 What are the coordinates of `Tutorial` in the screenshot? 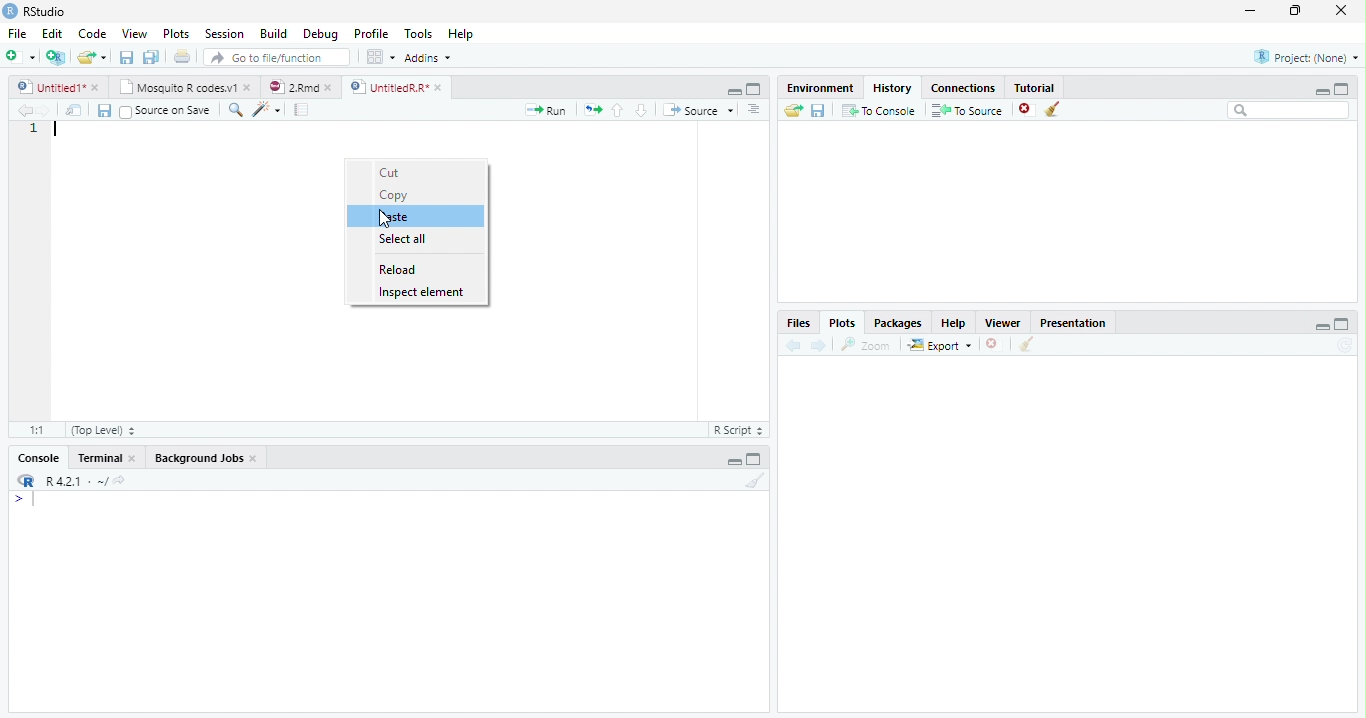 It's located at (1034, 88).